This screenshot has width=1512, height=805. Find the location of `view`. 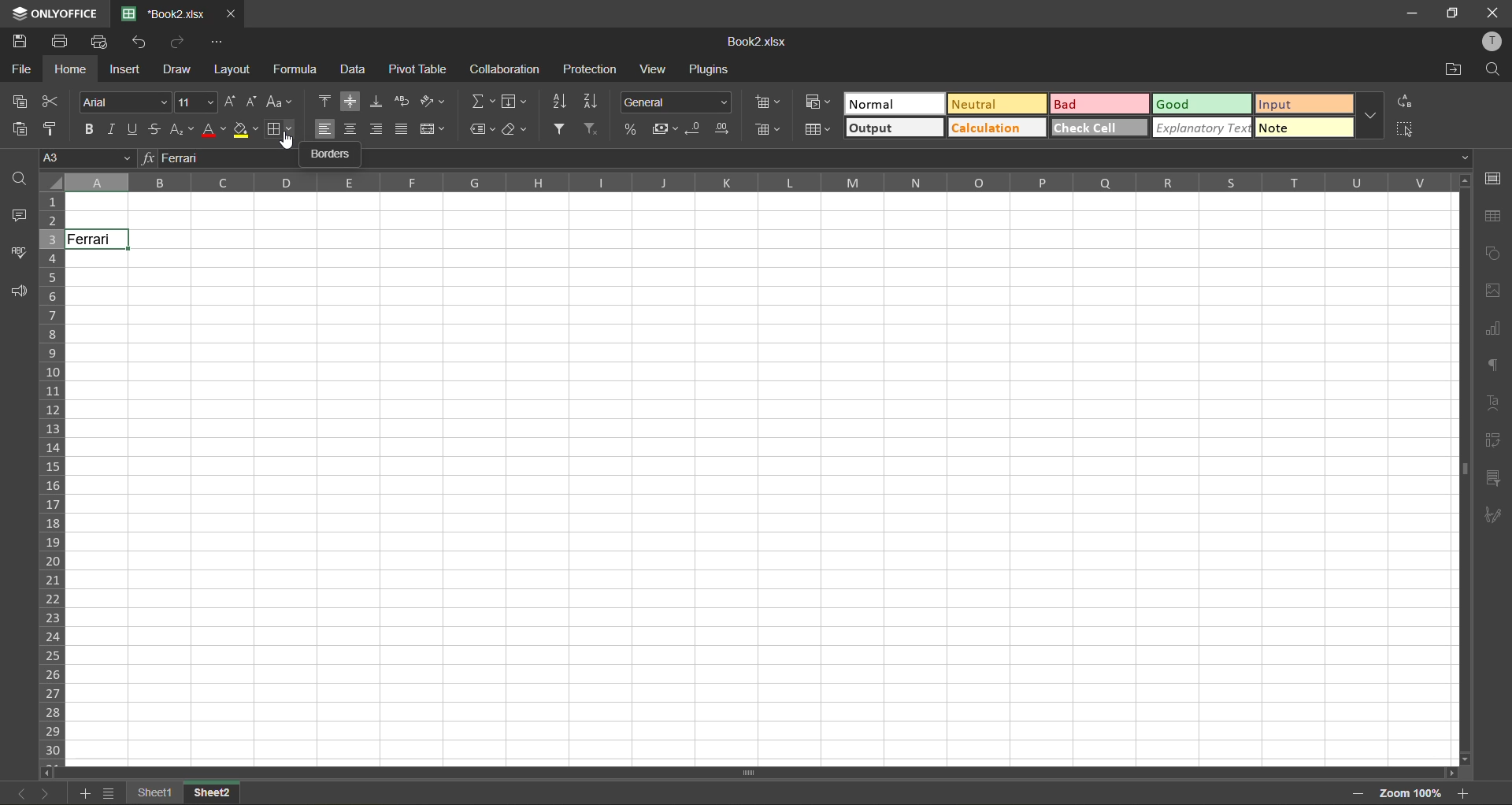

view is located at coordinates (657, 69).